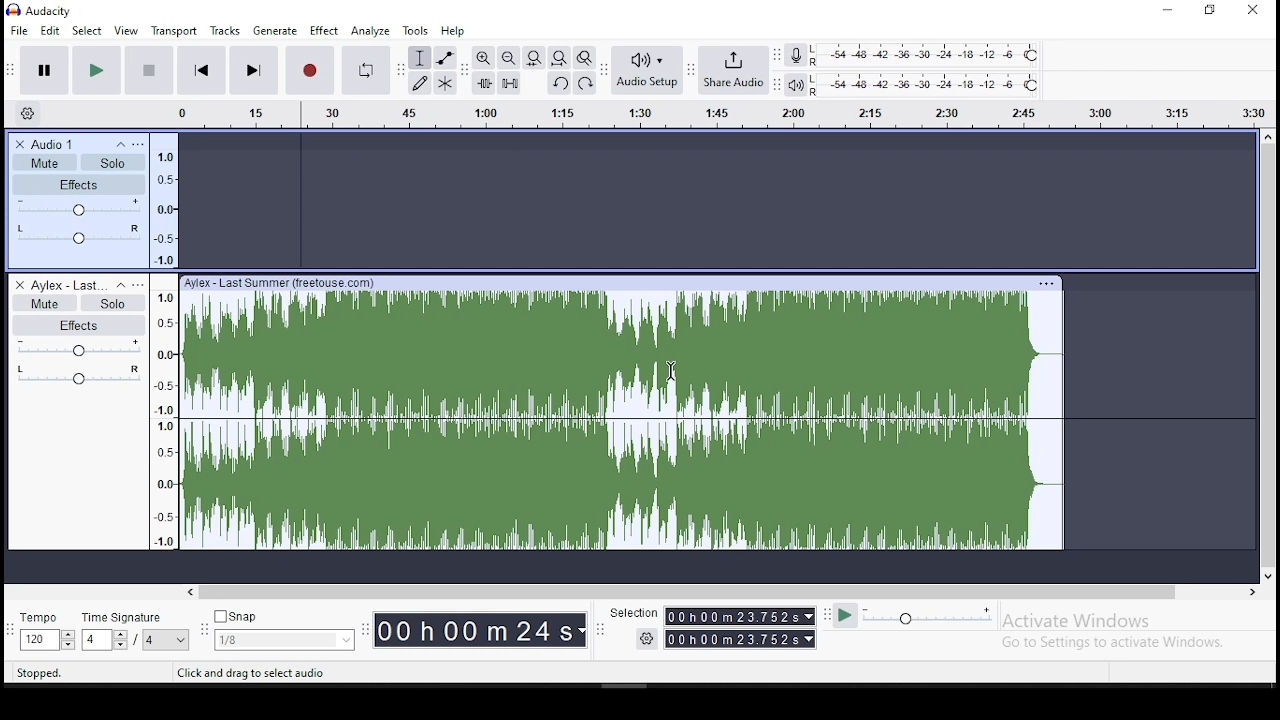  Describe the element at coordinates (80, 325) in the screenshot. I see `effects` at that location.